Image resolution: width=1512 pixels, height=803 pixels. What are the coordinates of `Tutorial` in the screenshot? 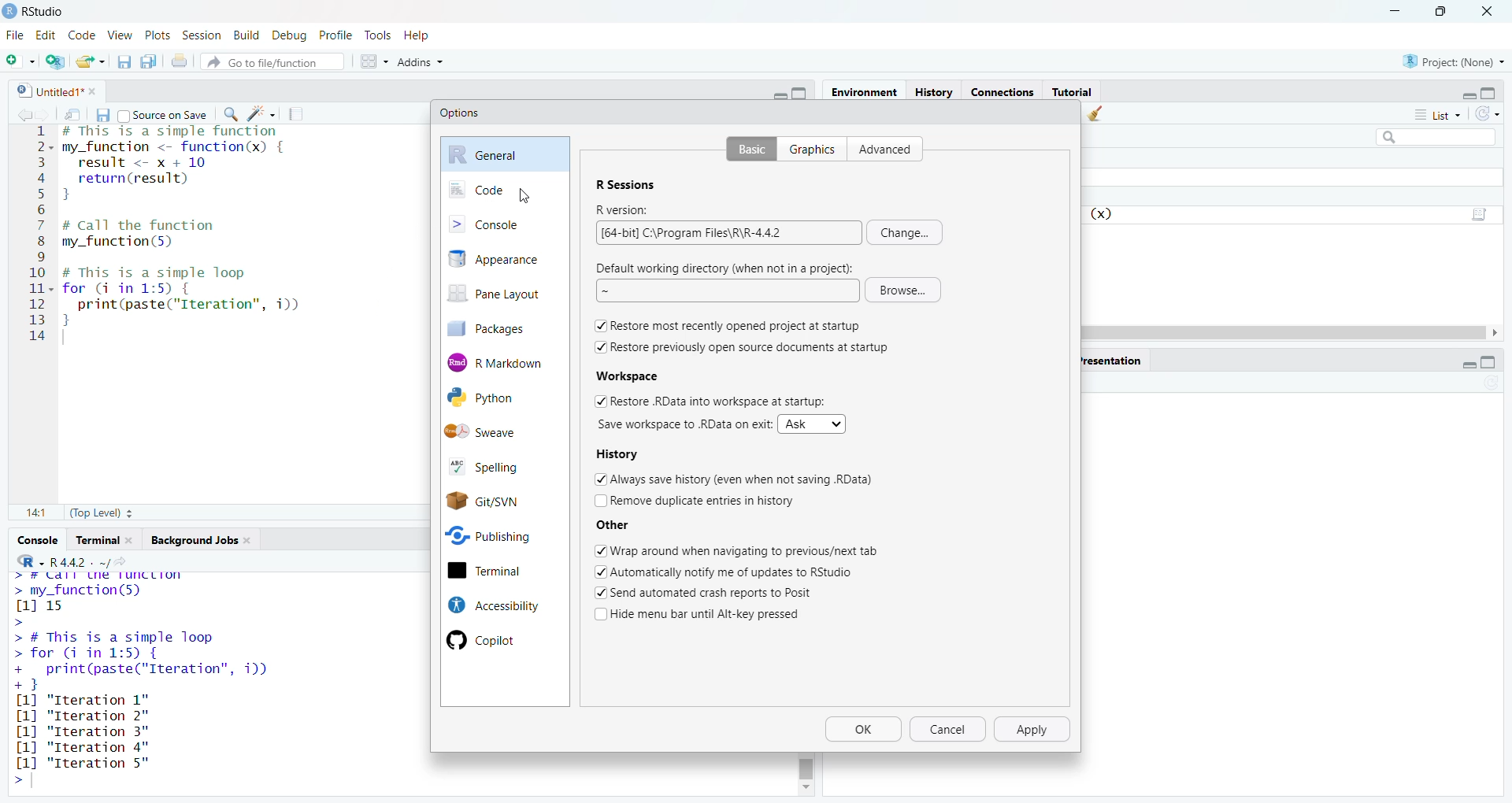 It's located at (1073, 91).